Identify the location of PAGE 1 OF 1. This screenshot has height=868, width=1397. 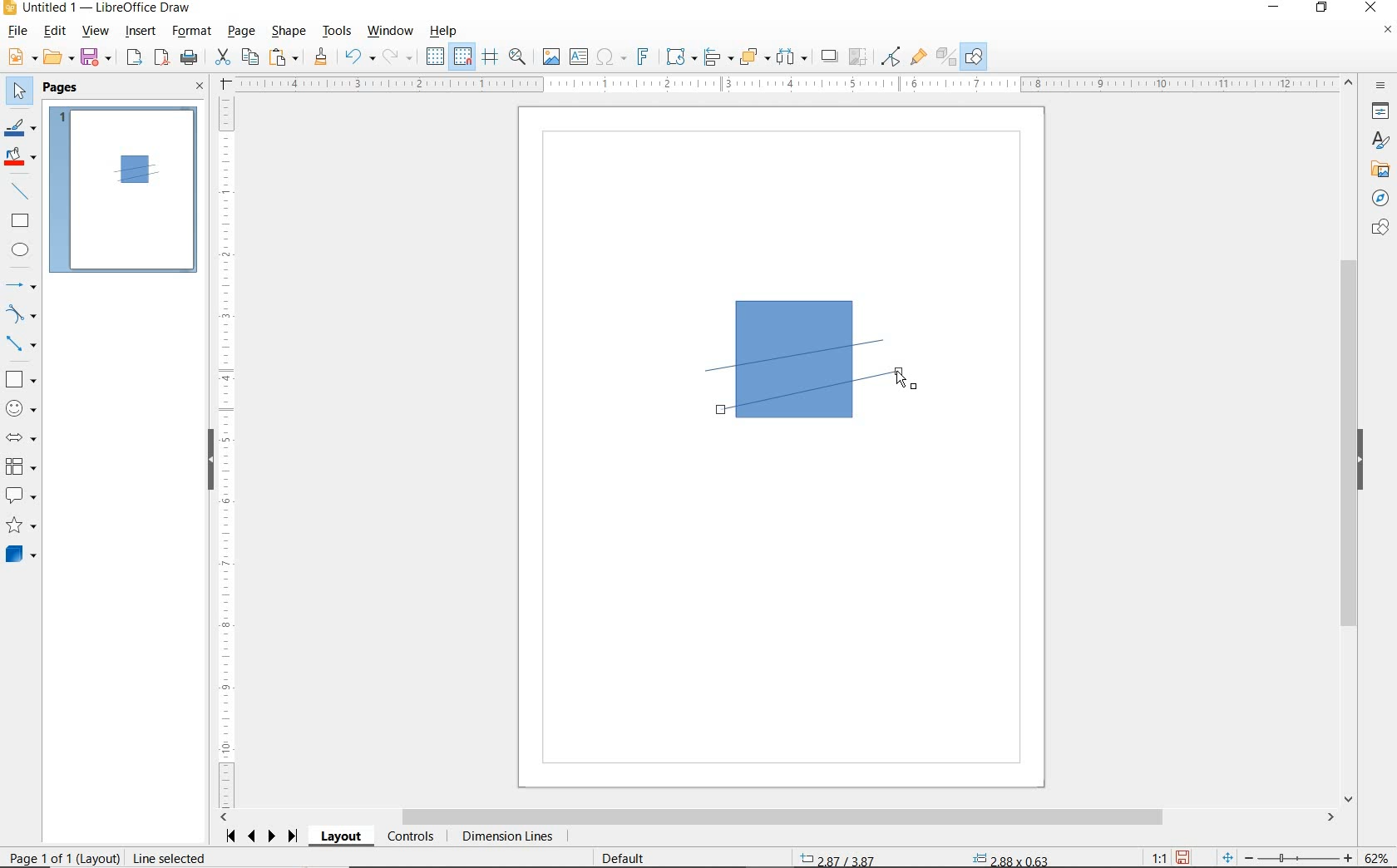
(60, 860).